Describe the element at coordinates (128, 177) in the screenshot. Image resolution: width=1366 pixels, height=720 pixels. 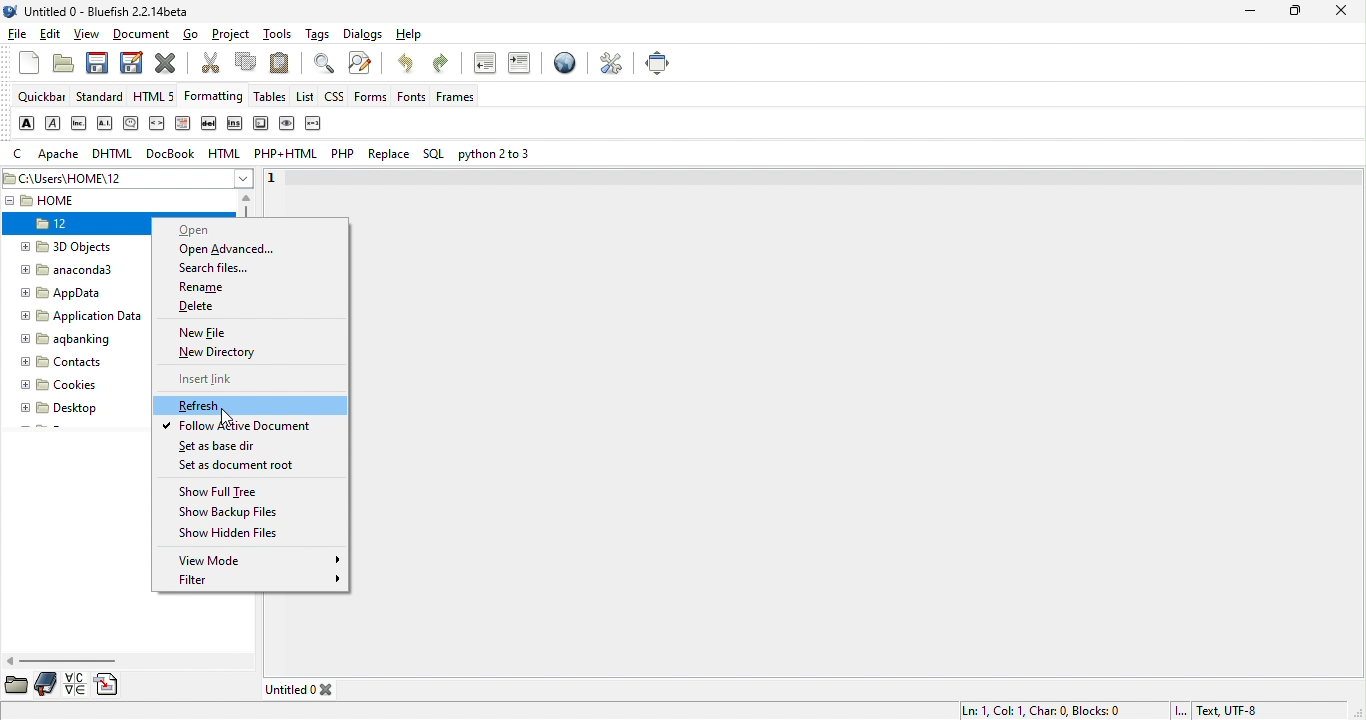
I see `c\users\home\12` at that location.